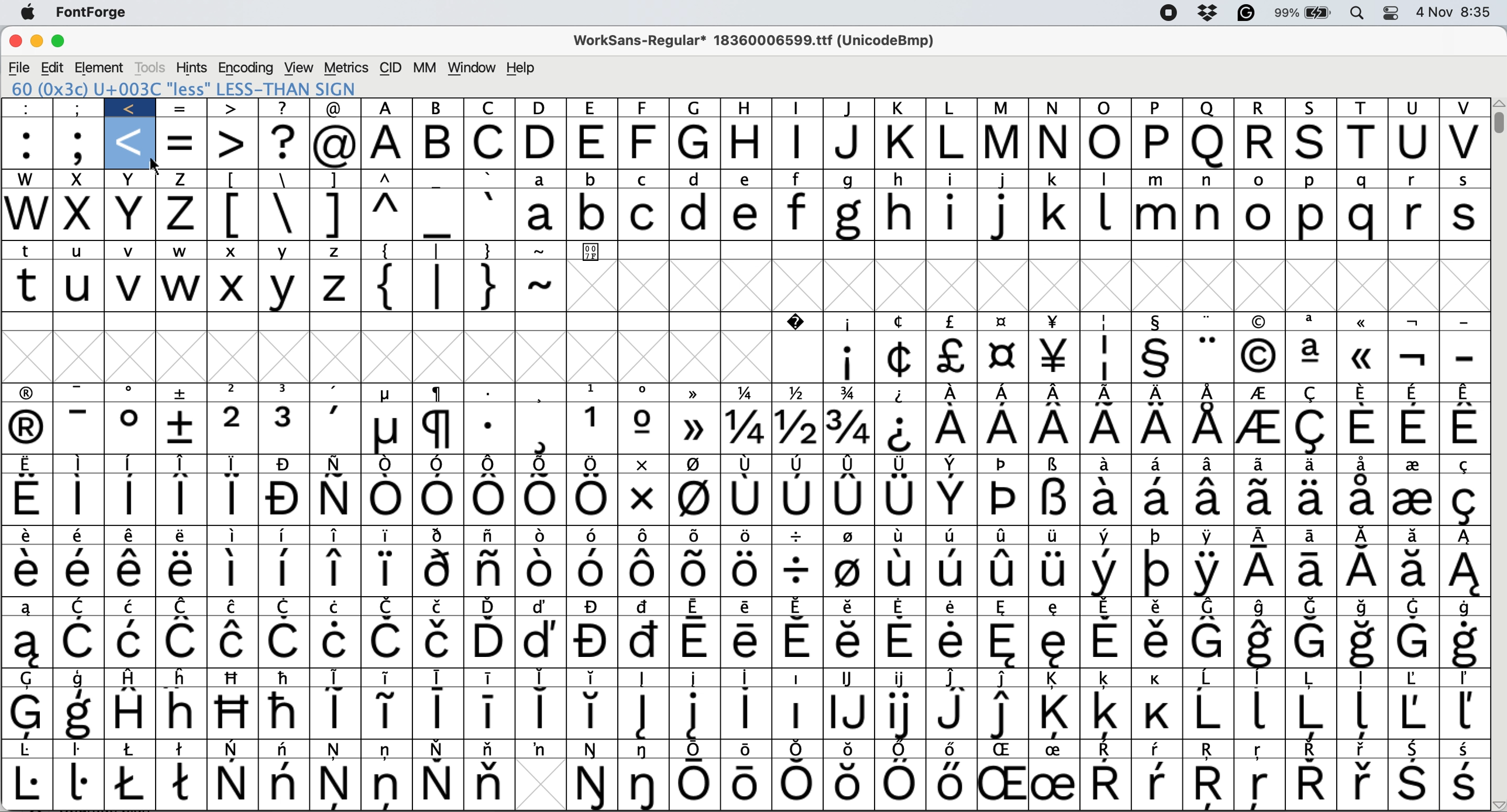  Describe the element at coordinates (697, 500) in the screenshot. I see `Symbol` at that location.